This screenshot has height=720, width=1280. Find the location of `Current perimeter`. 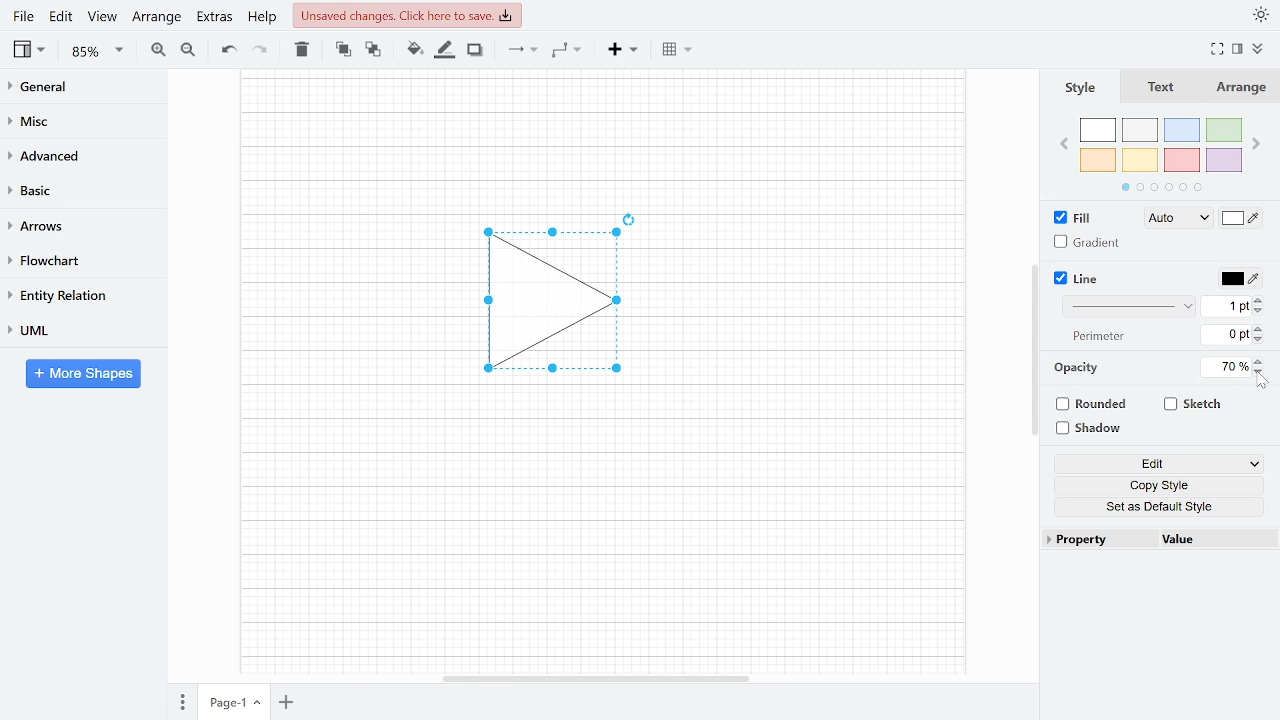

Current perimeter is located at coordinates (1226, 337).